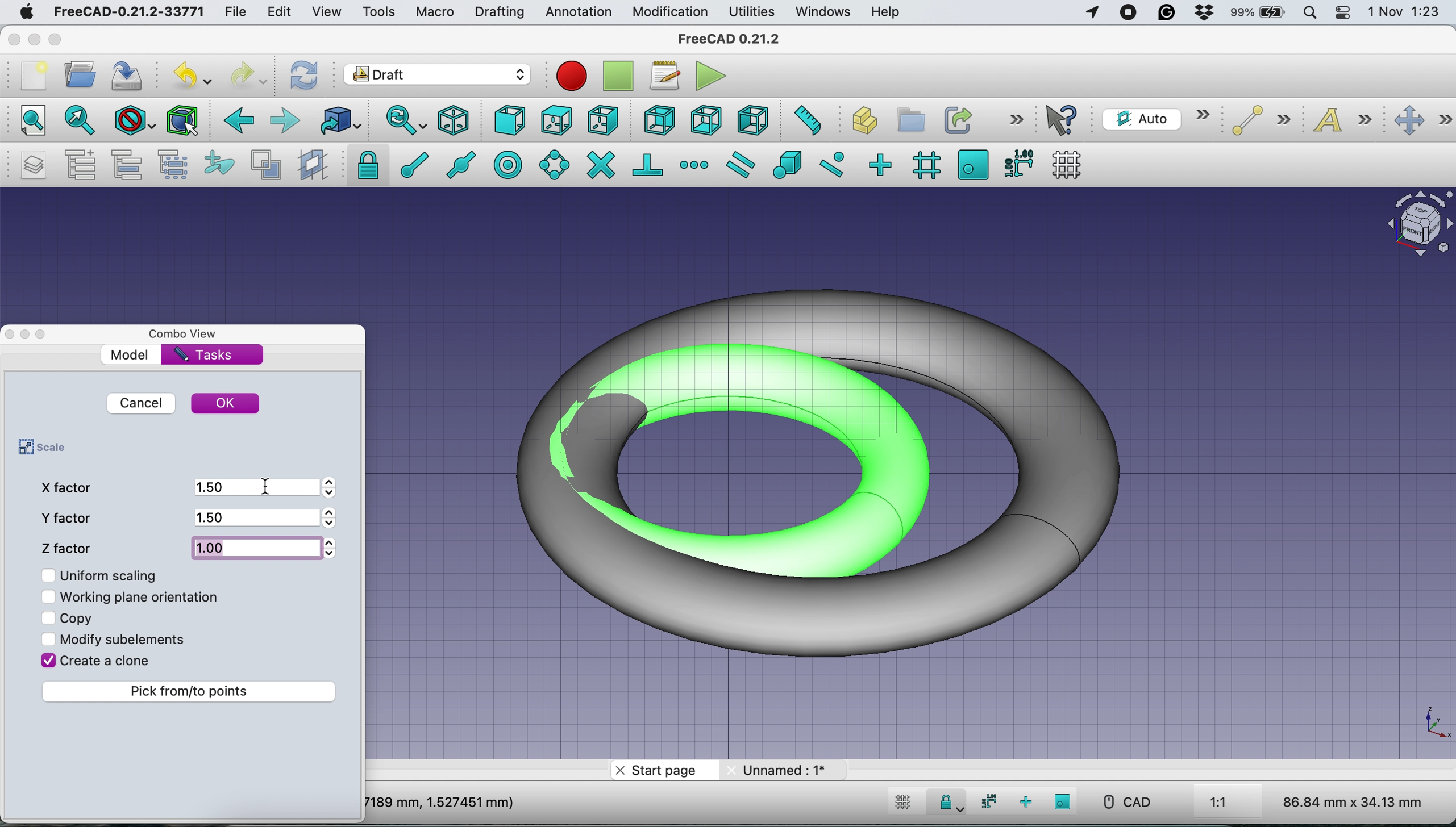  I want to click on Checkbox, so click(47, 573).